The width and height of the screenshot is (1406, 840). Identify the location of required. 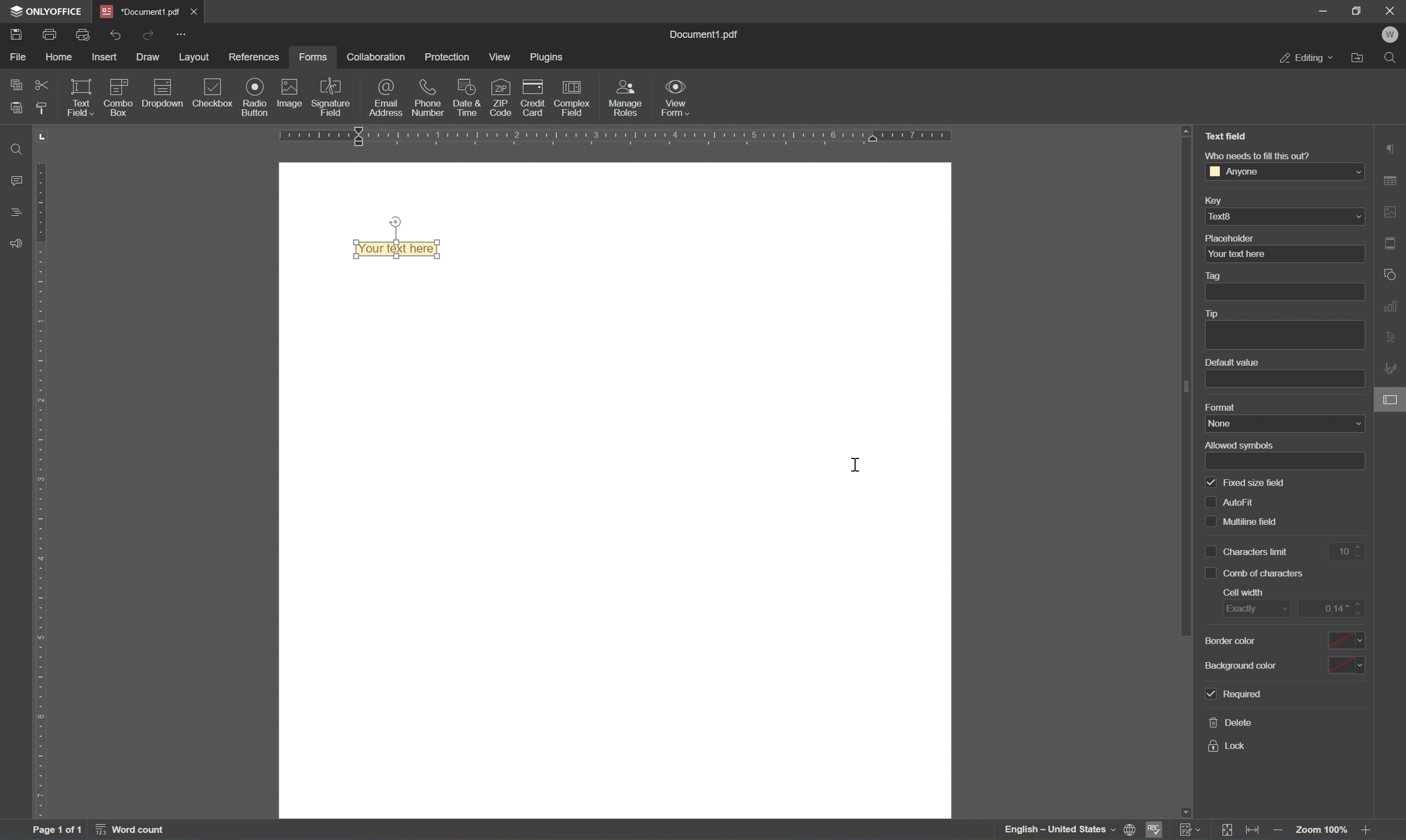
(1237, 693).